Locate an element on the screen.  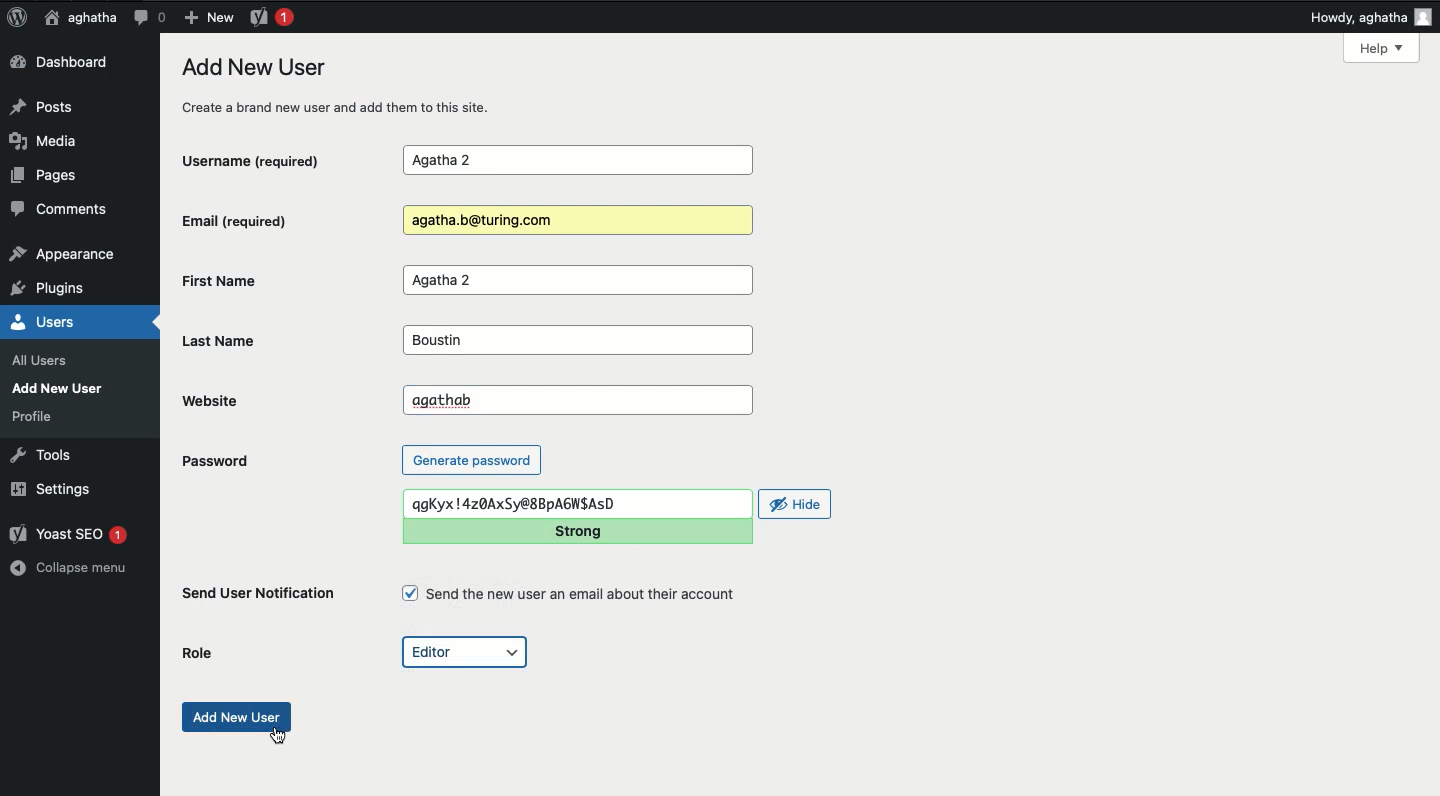
Pages is located at coordinates (50, 179).